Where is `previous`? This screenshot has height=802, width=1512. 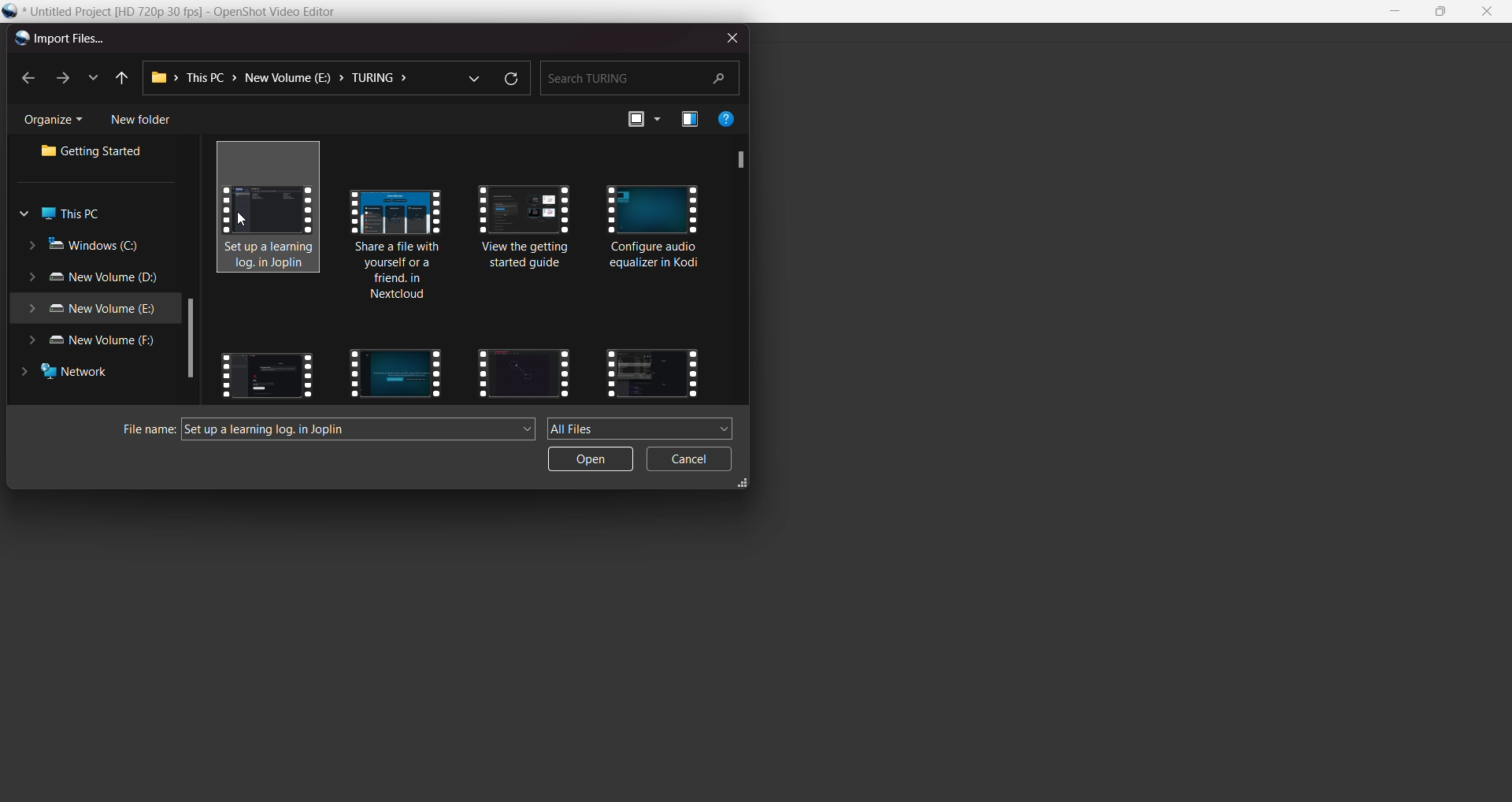 previous is located at coordinates (120, 79).